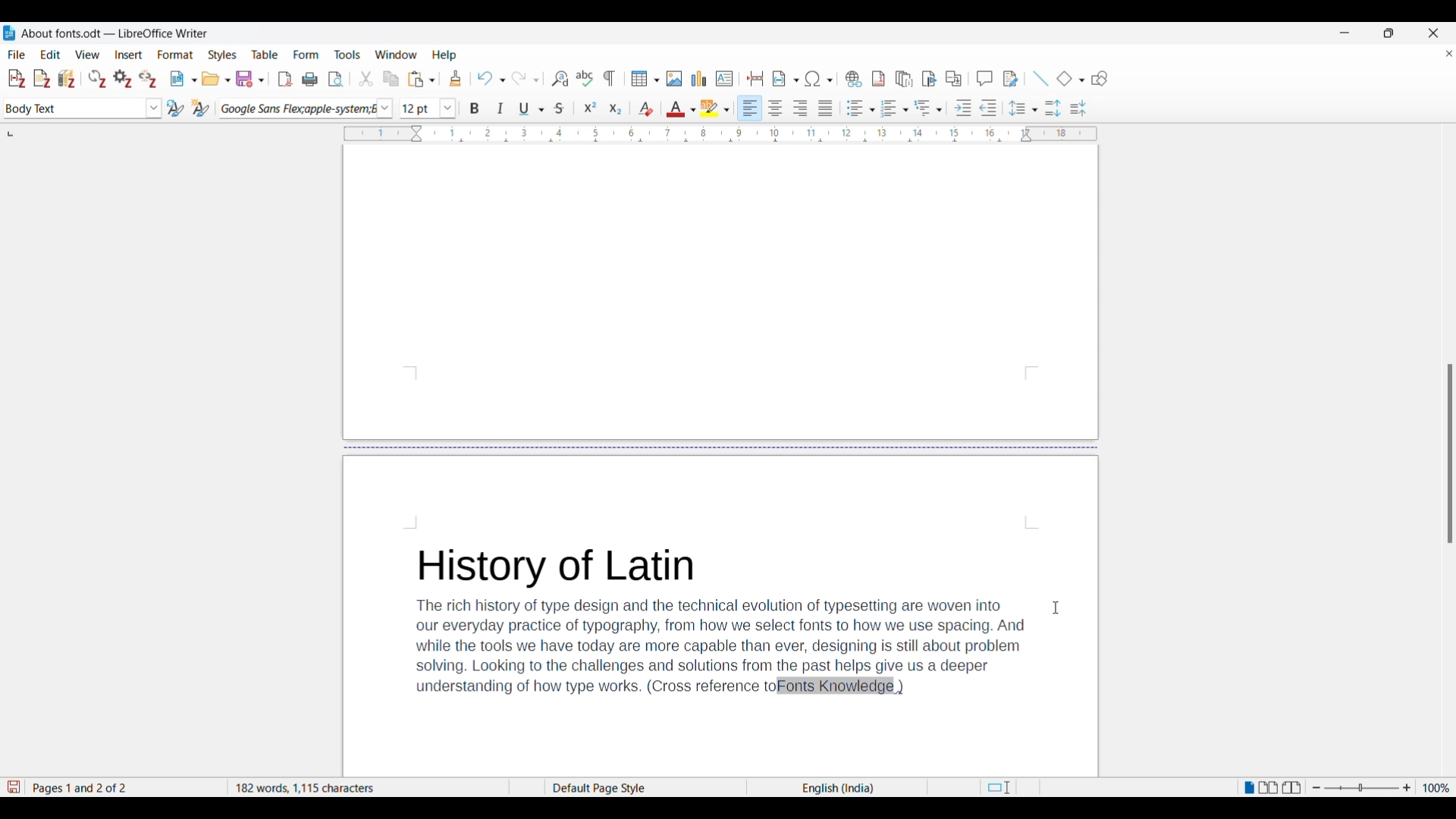  I want to click on 182 words, 1115 characters , so click(366, 788).